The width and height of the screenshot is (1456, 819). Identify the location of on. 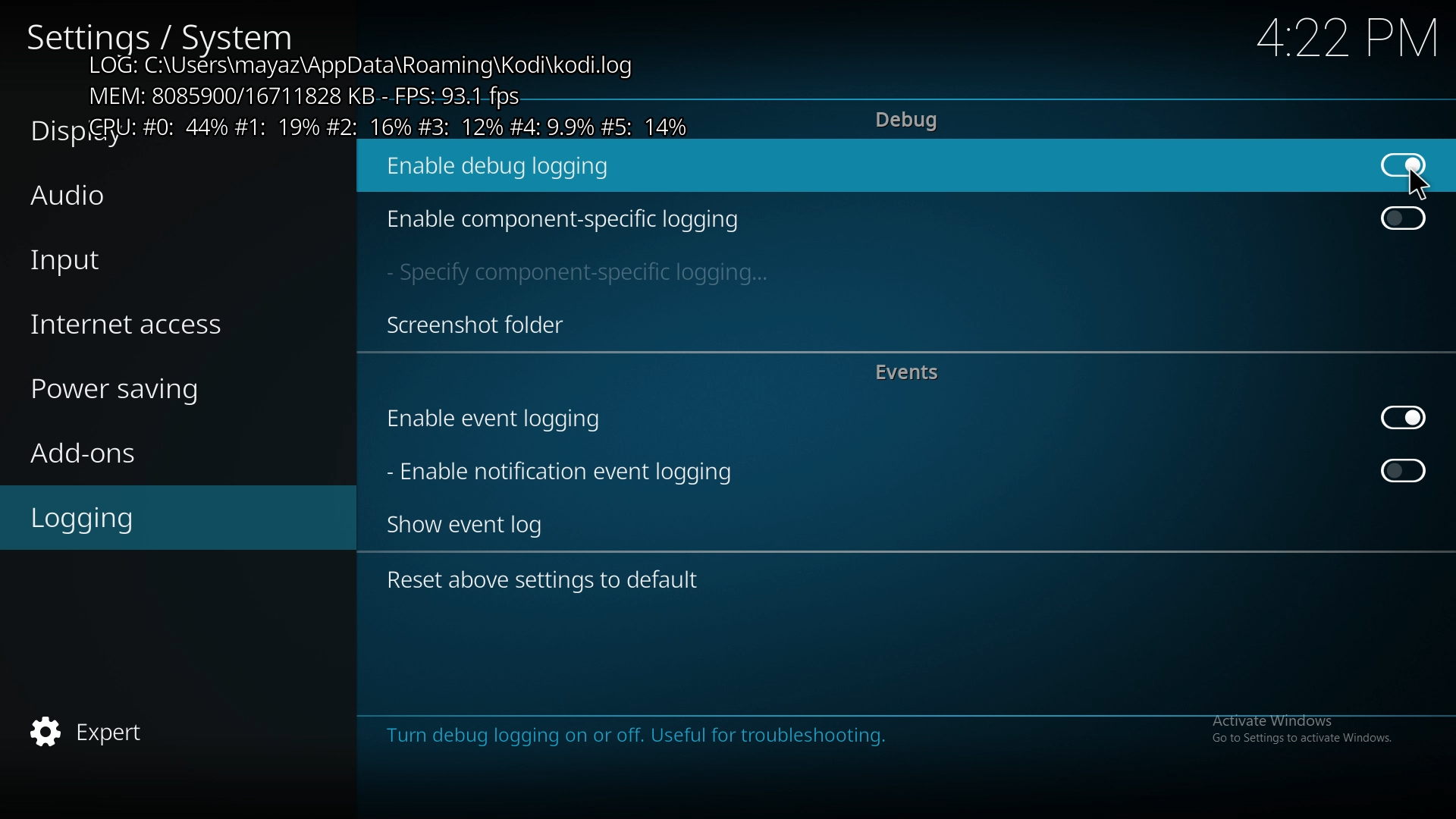
(1402, 166).